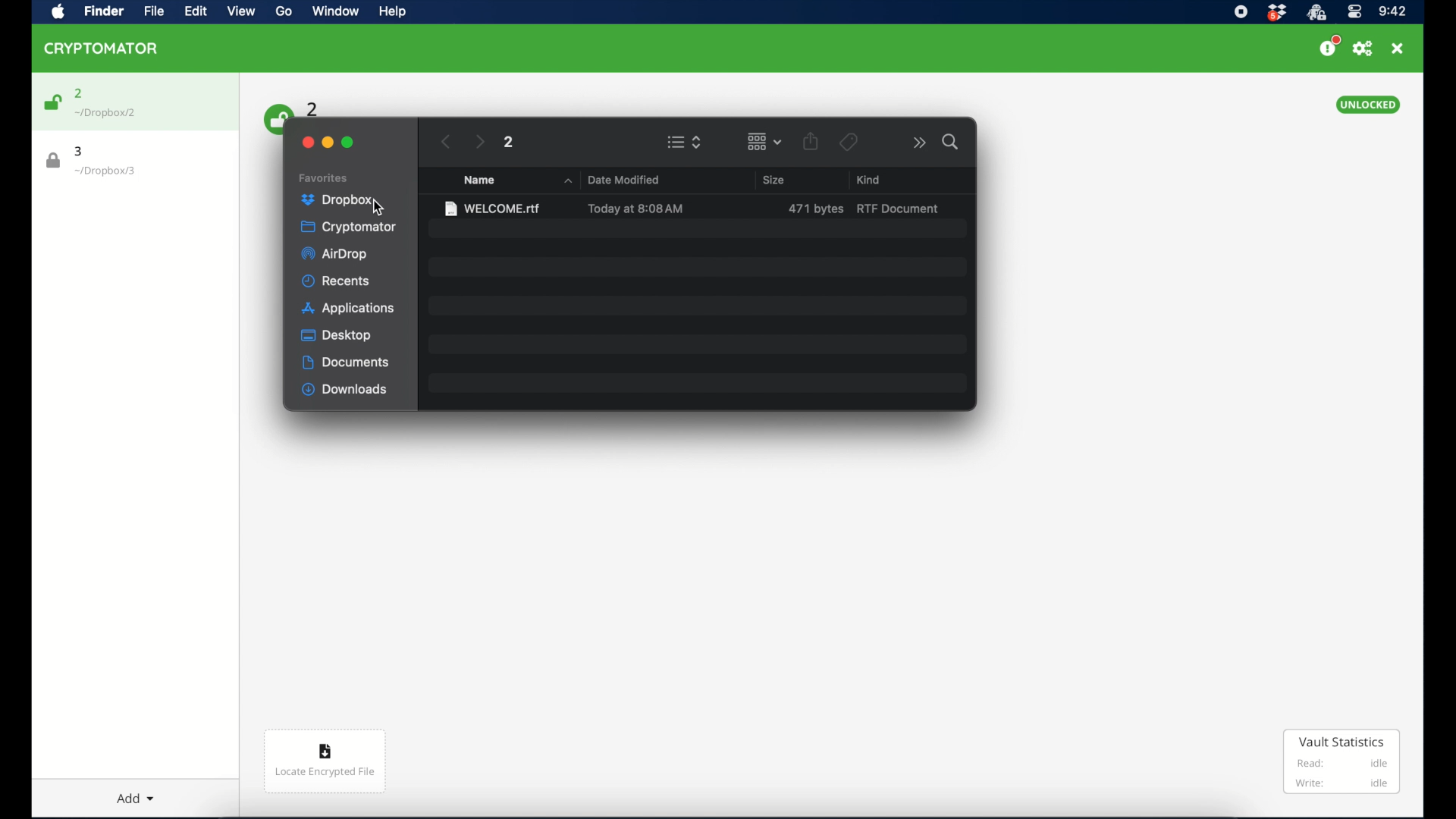 The height and width of the screenshot is (819, 1456). What do you see at coordinates (623, 179) in the screenshot?
I see `date modified` at bounding box center [623, 179].